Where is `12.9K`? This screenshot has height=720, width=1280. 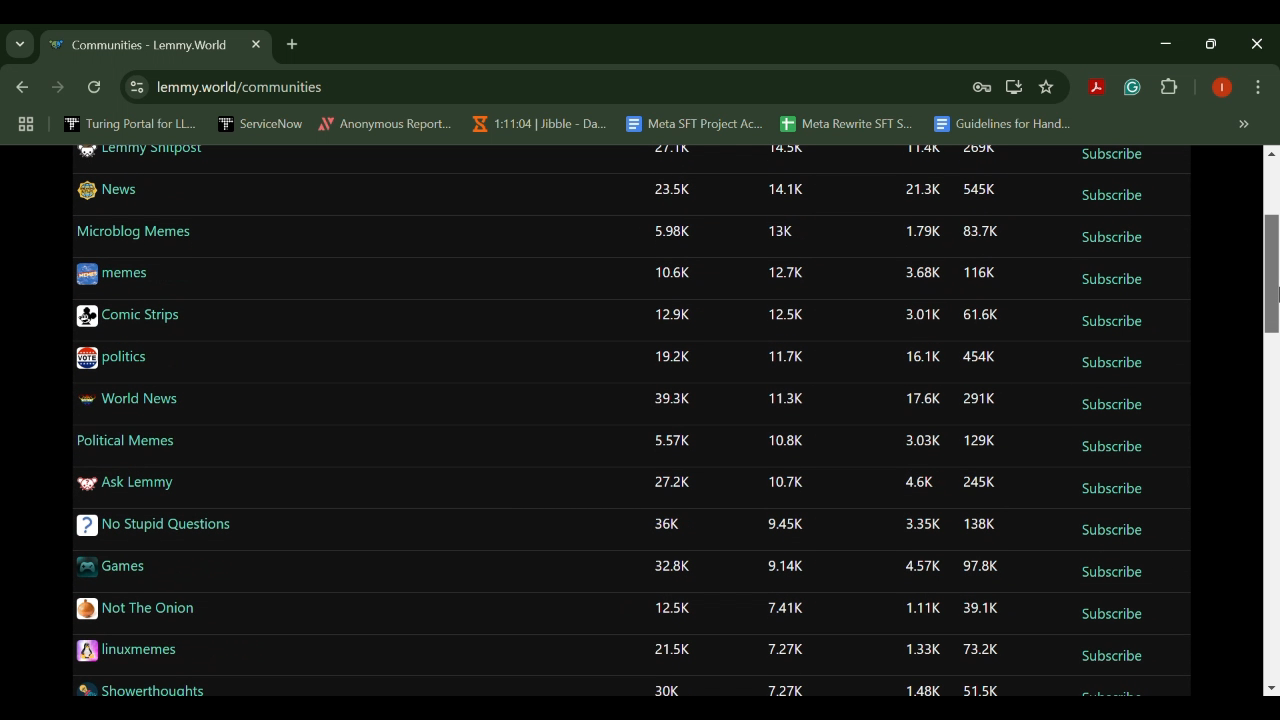 12.9K is located at coordinates (673, 313).